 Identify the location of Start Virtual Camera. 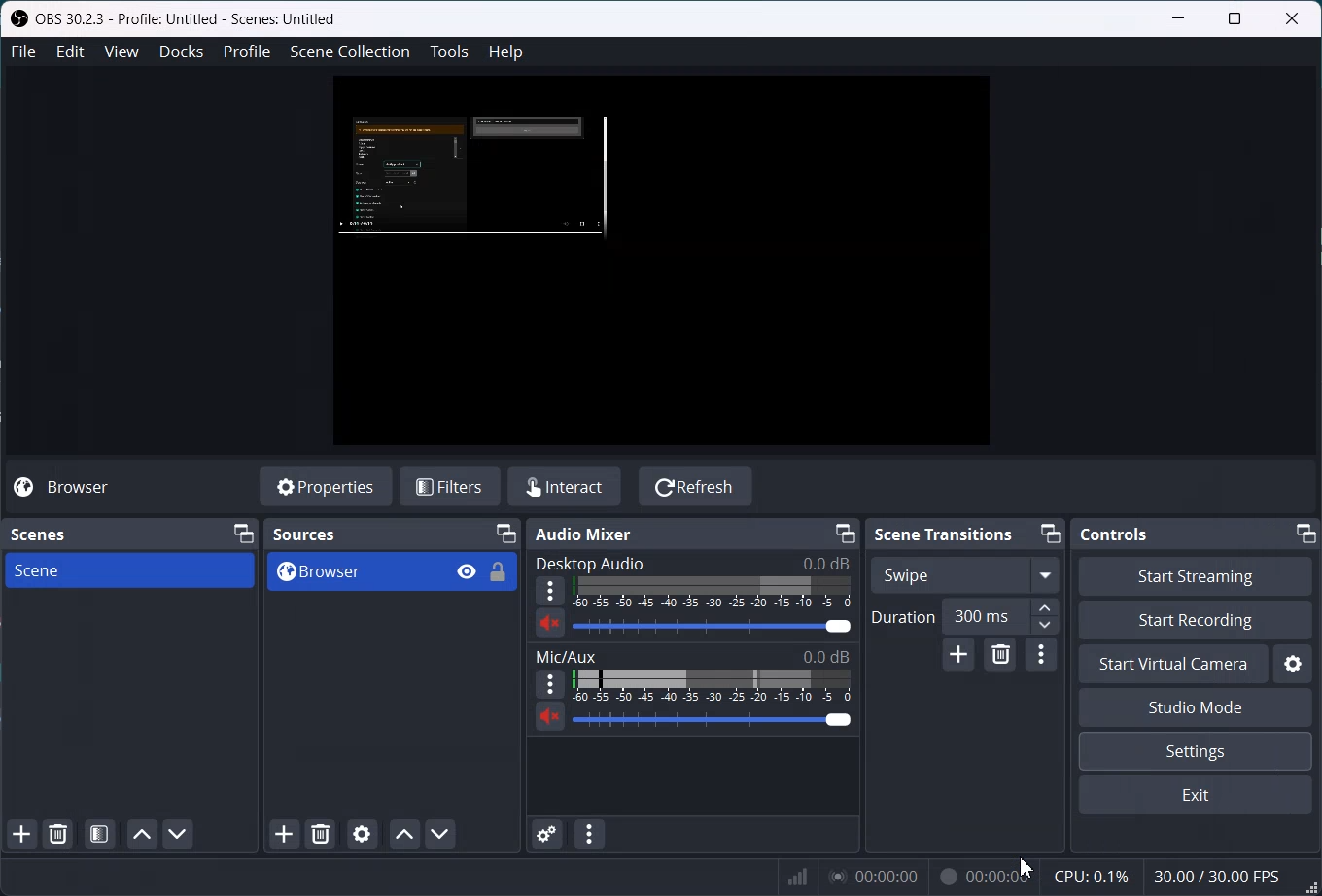
(1173, 664).